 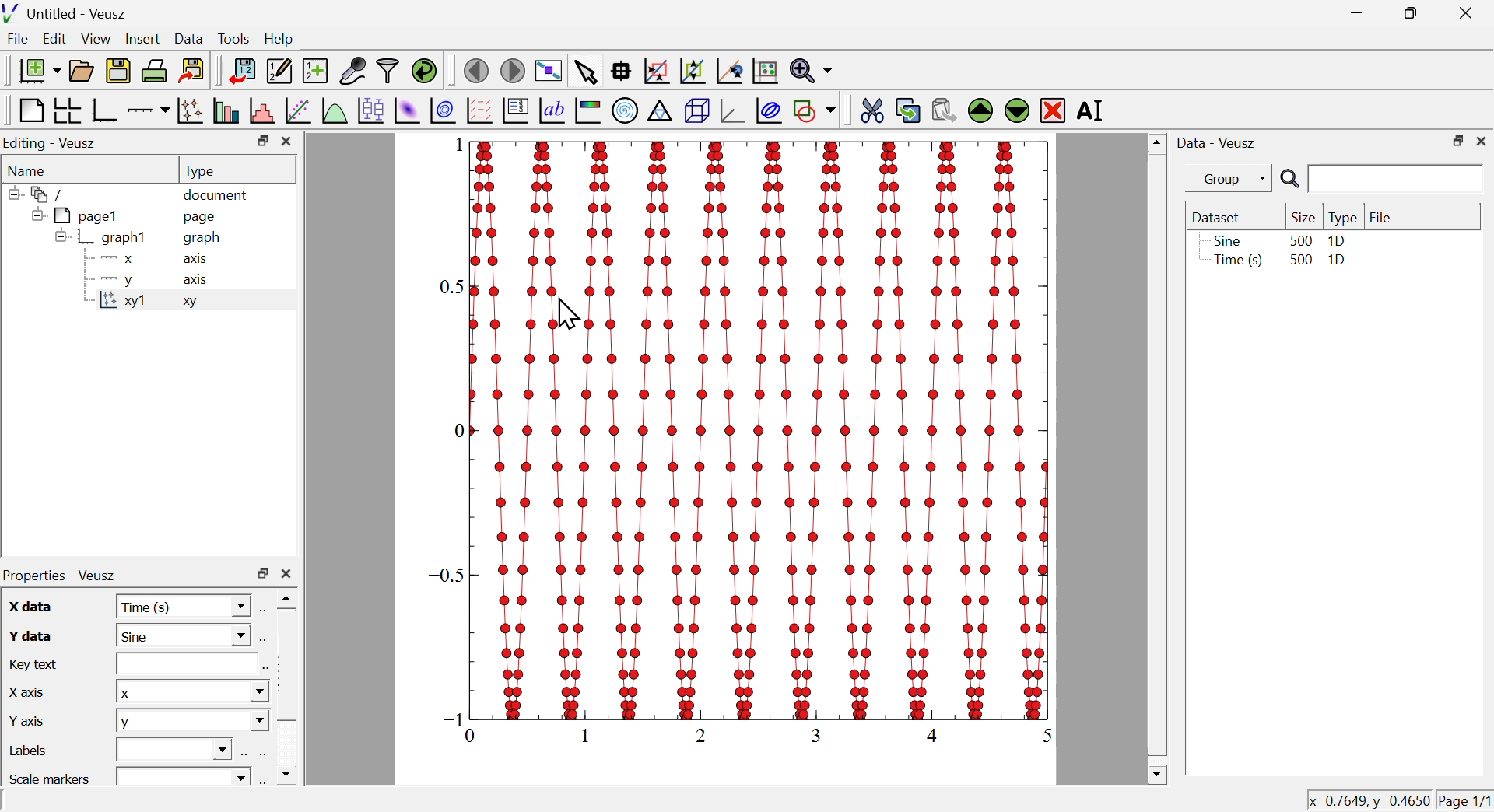 What do you see at coordinates (451, 567) in the screenshot?
I see `-0.5` at bounding box center [451, 567].